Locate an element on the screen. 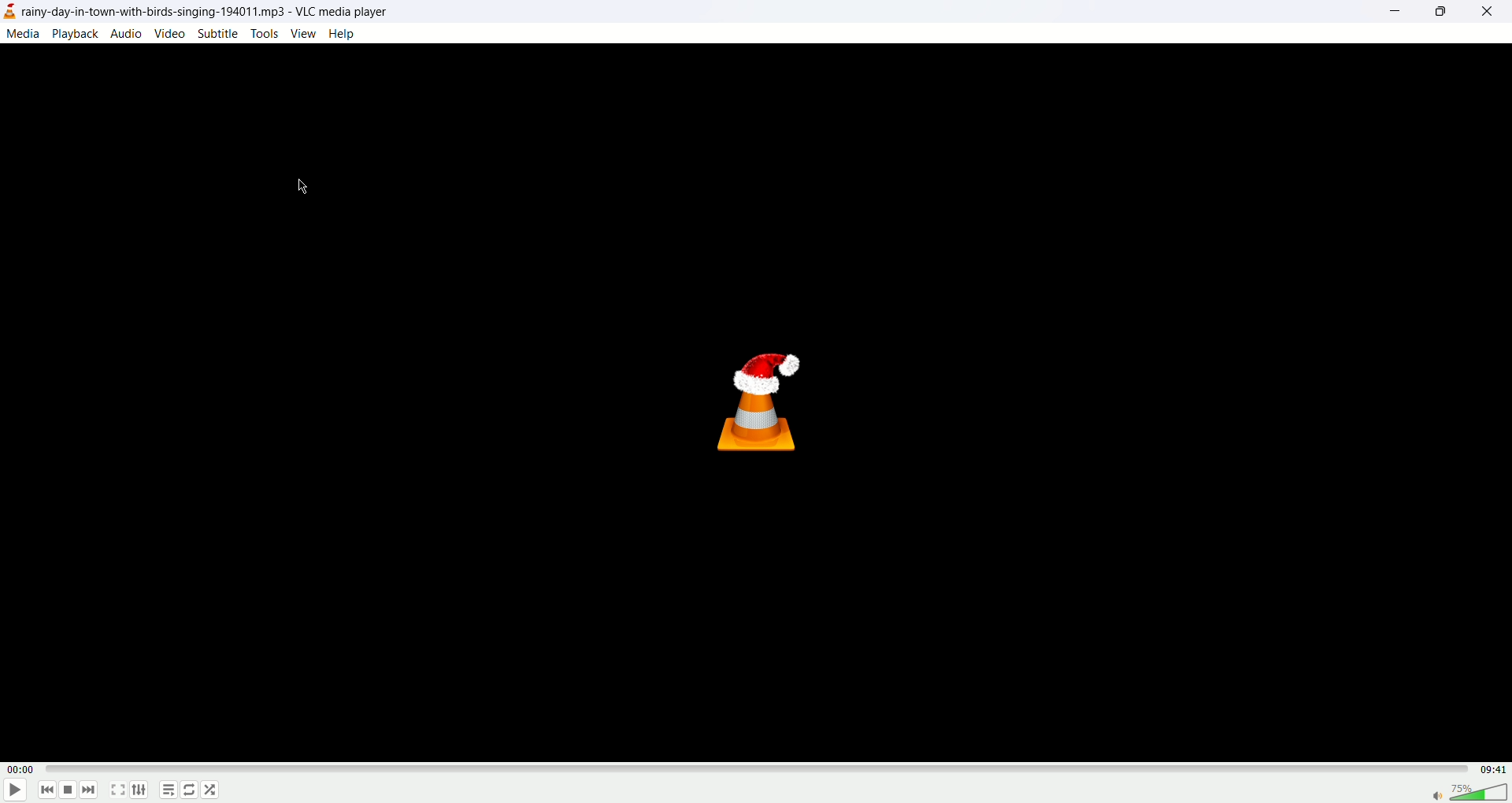 The image size is (1512, 803). subtitle is located at coordinates (218, 35).